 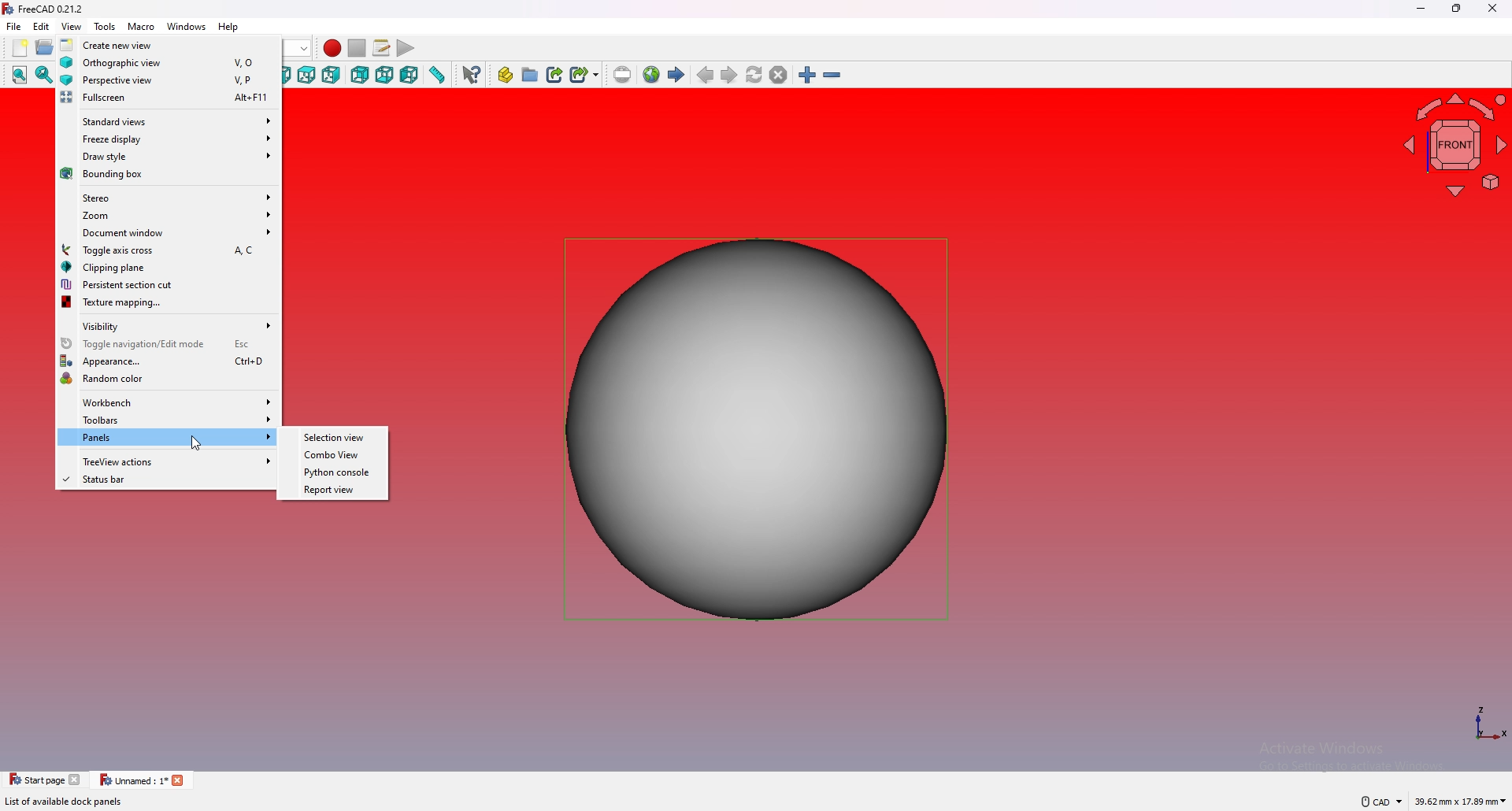 What do you see at coordinates (472, 74) in the screenshot?
I see `whats this` at bounding box center [472, 74].